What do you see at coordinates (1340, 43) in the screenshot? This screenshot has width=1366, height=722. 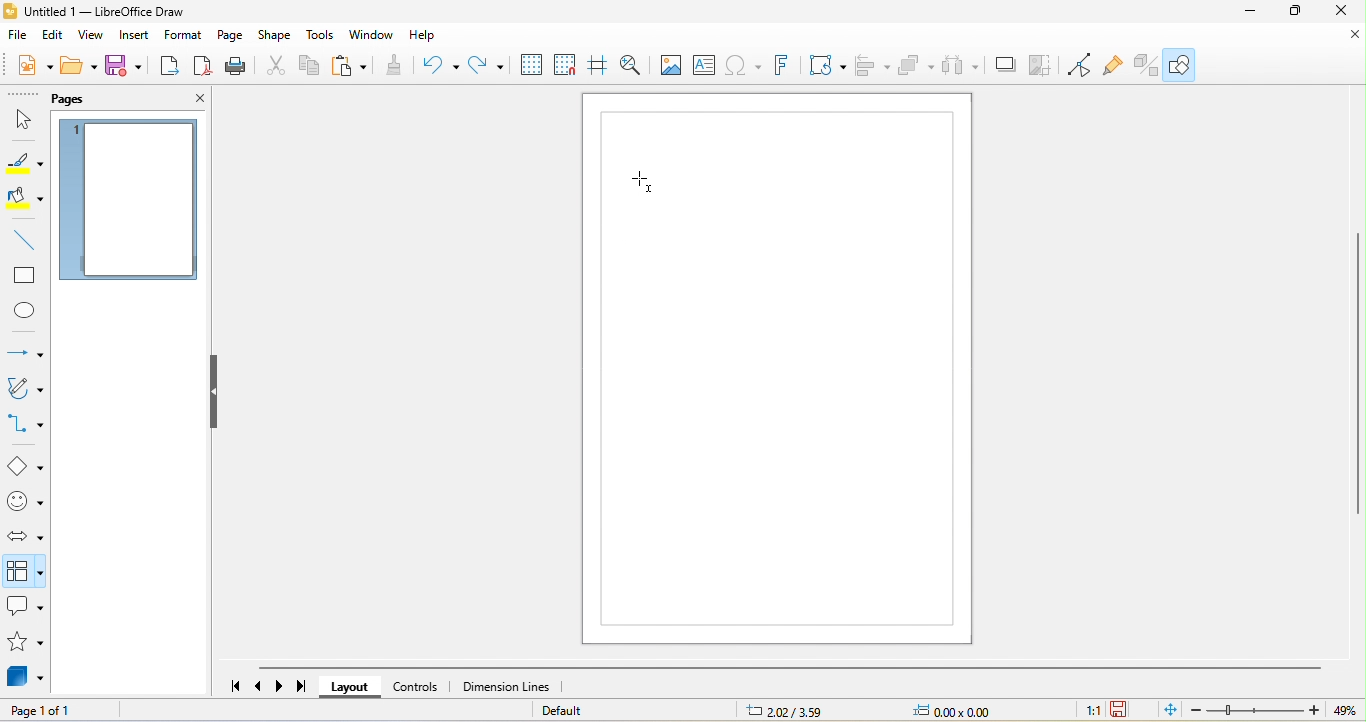 I see `close` at bounding box center [1340, 43].